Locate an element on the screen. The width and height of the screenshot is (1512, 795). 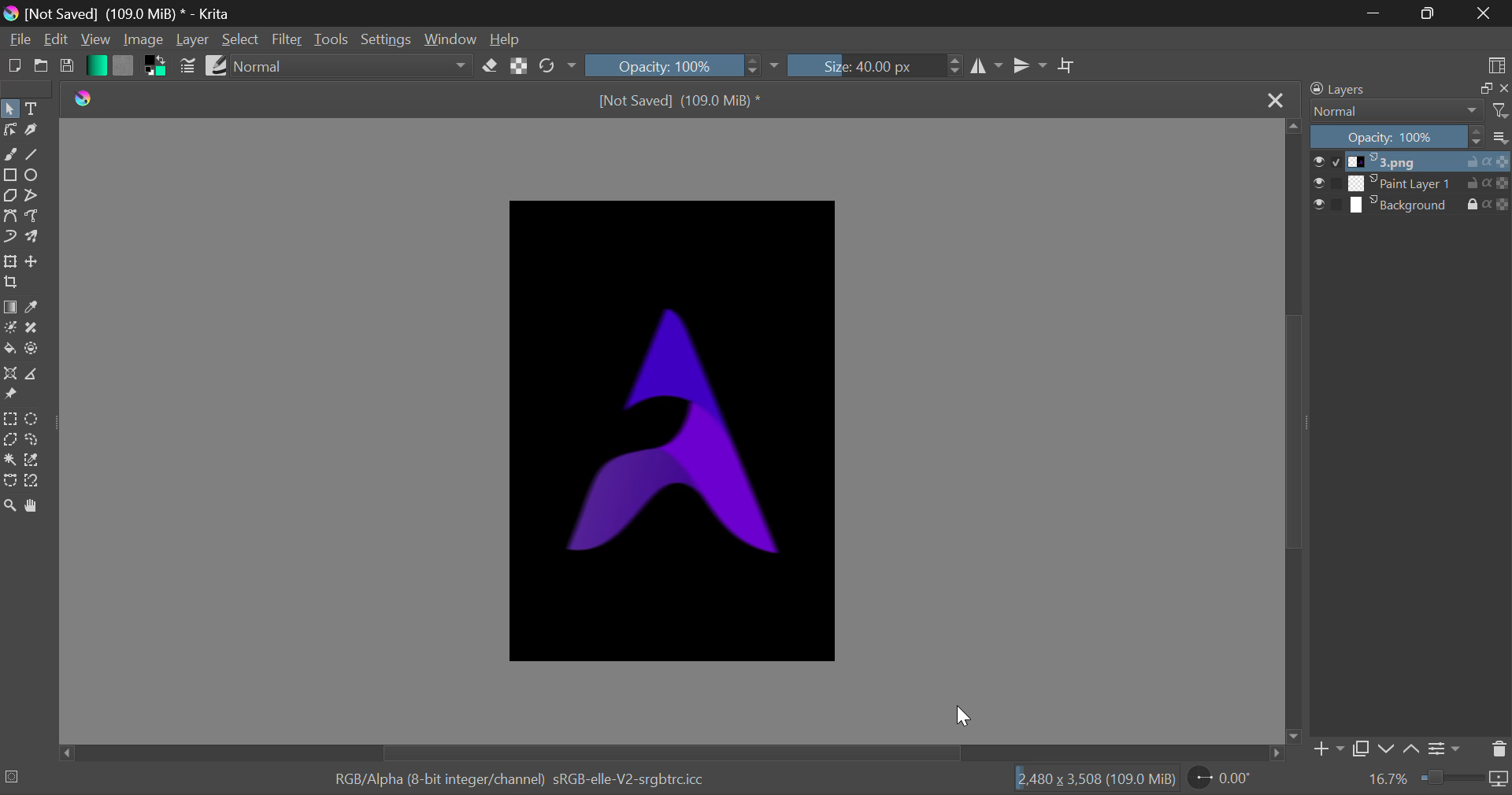
Crop is located at coordinates (1067, 66).